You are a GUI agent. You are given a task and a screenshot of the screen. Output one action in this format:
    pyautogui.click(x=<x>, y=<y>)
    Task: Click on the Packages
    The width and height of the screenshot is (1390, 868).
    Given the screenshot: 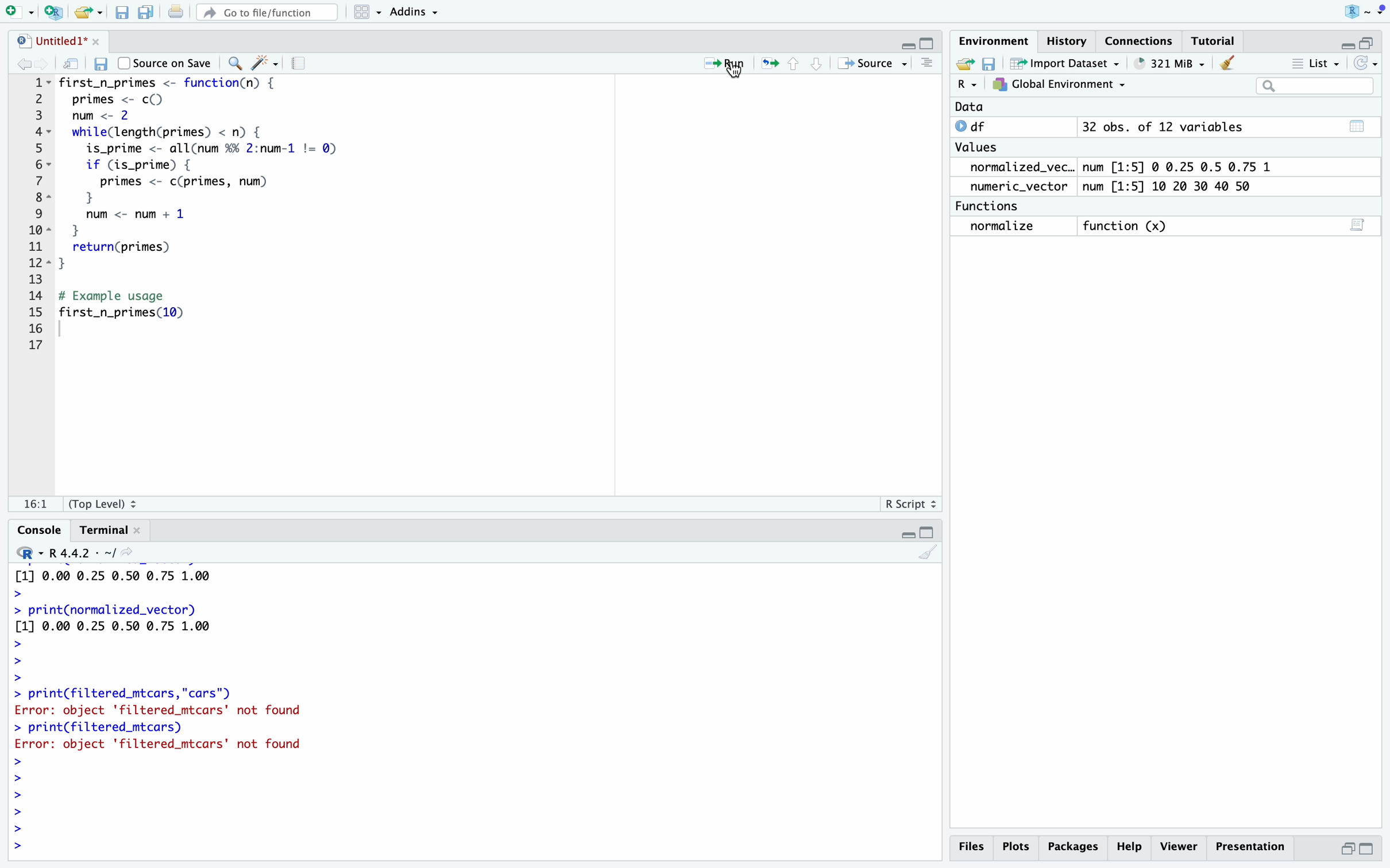 What is the action you would take?
    pyautogui.click(x=1074, y=847)
    